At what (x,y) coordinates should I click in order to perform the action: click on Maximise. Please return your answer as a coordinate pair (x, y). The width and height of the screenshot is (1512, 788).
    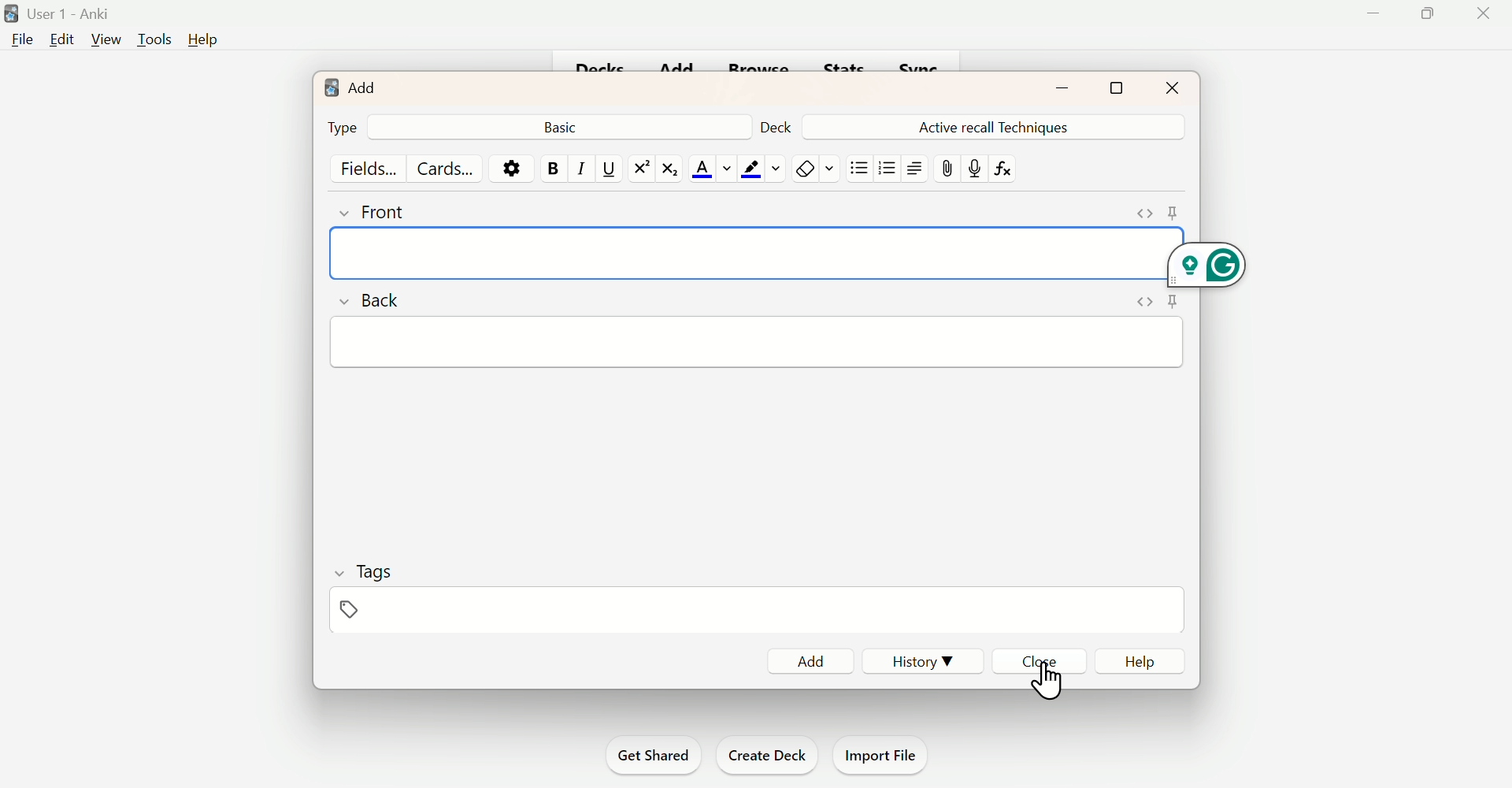
    Looking at the image, I should click on (1126, 87).